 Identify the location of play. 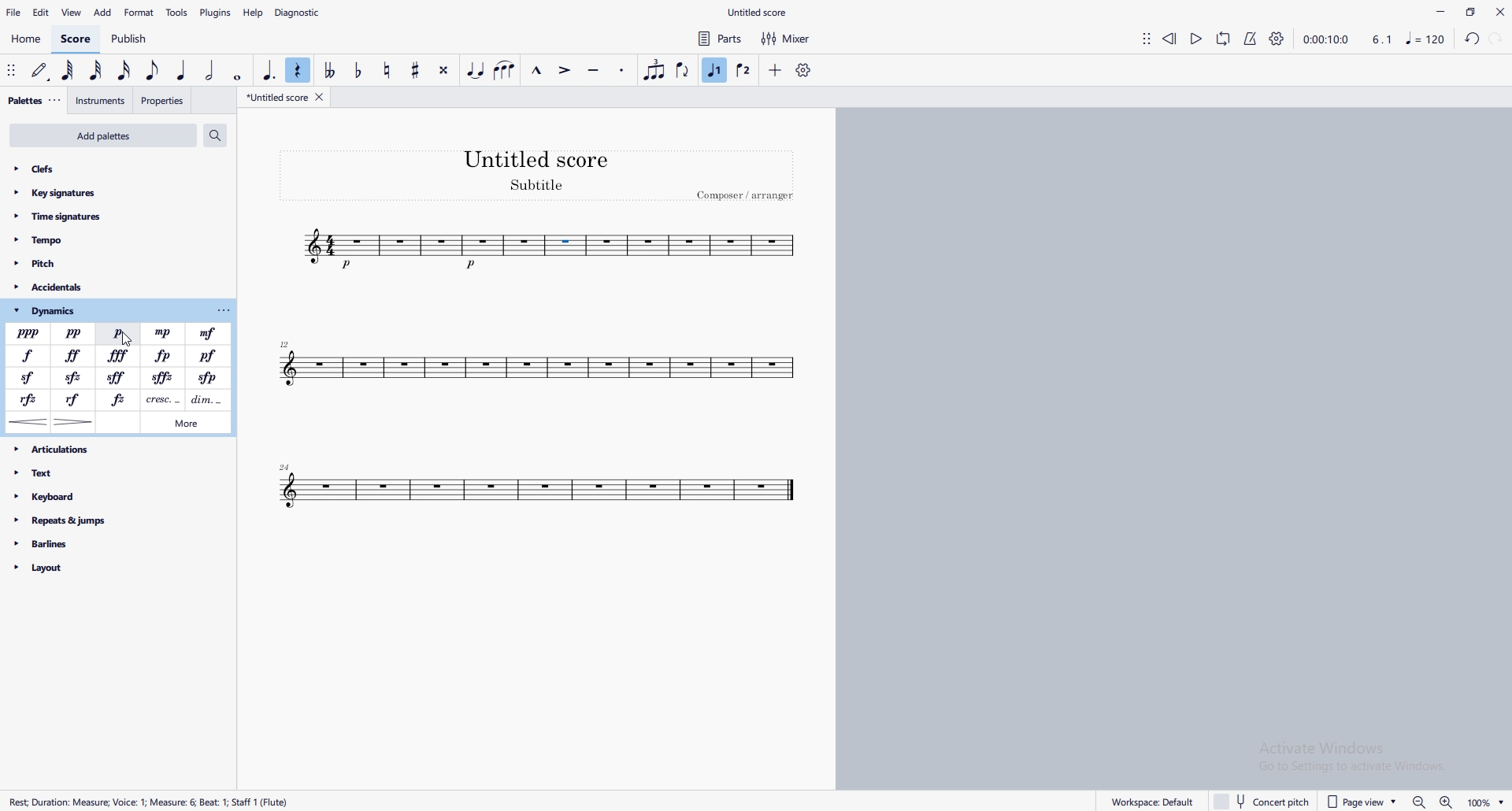
(1196, 38).